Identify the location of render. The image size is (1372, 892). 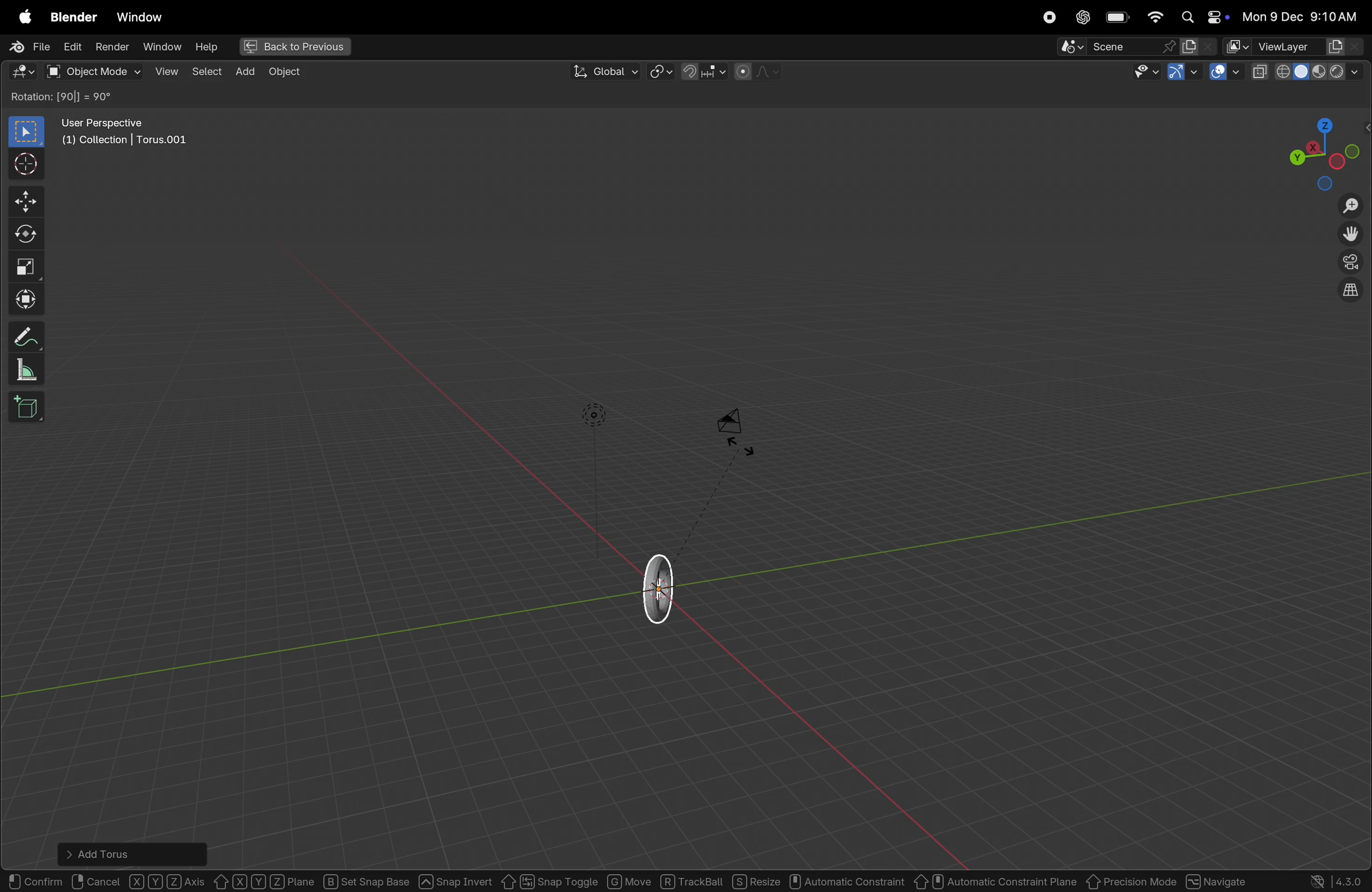
(111, 47).